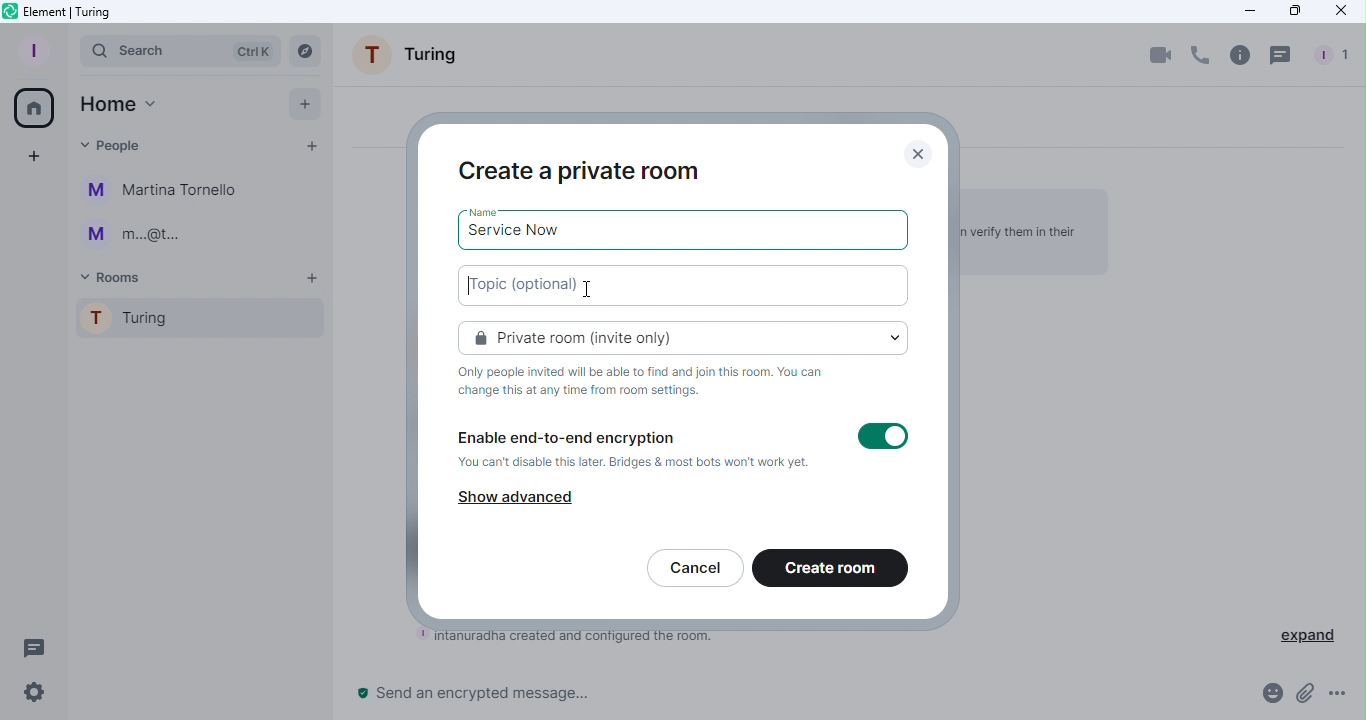 The image size is (1366, 720). Describe the element at coordinates (69, 12) in the screenshot. I see `Element icon` at that location.